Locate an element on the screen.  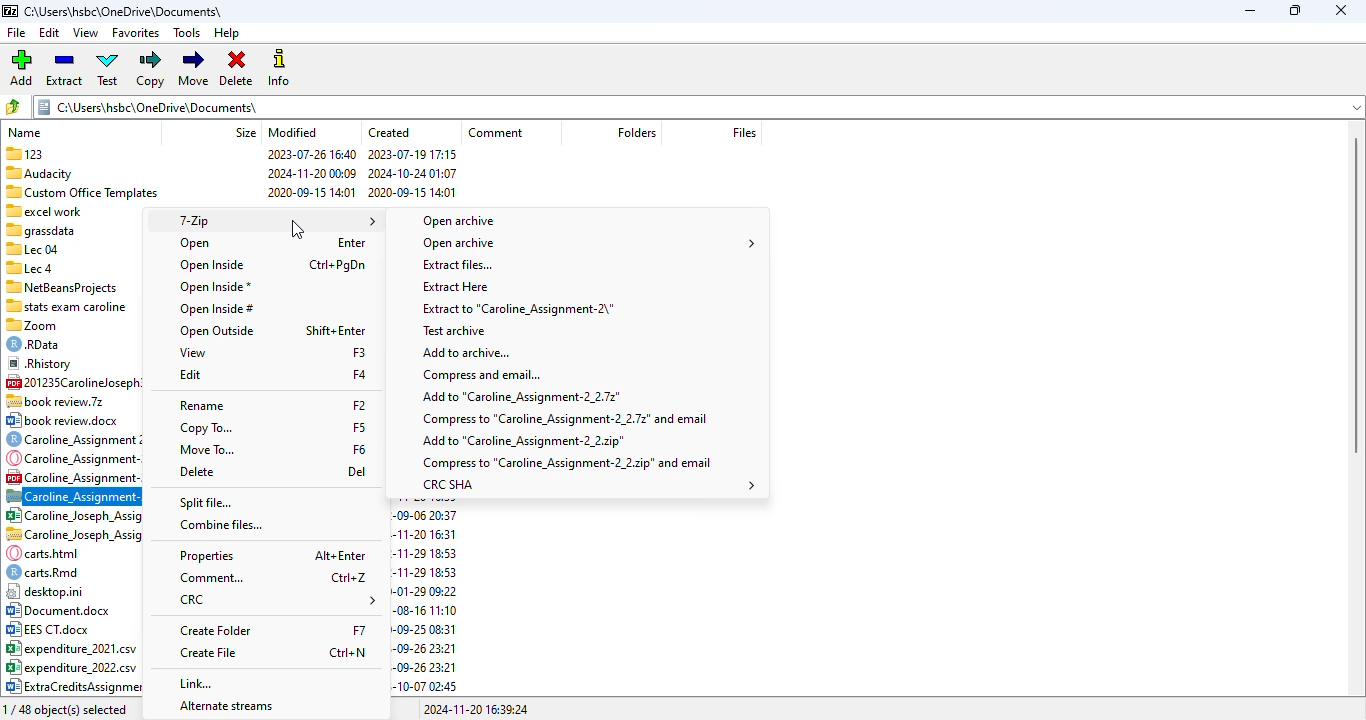
© book review.doox 12655 2020-09-24 10:44 2020-09-25 08:31 is located at coordinates (69, 420).